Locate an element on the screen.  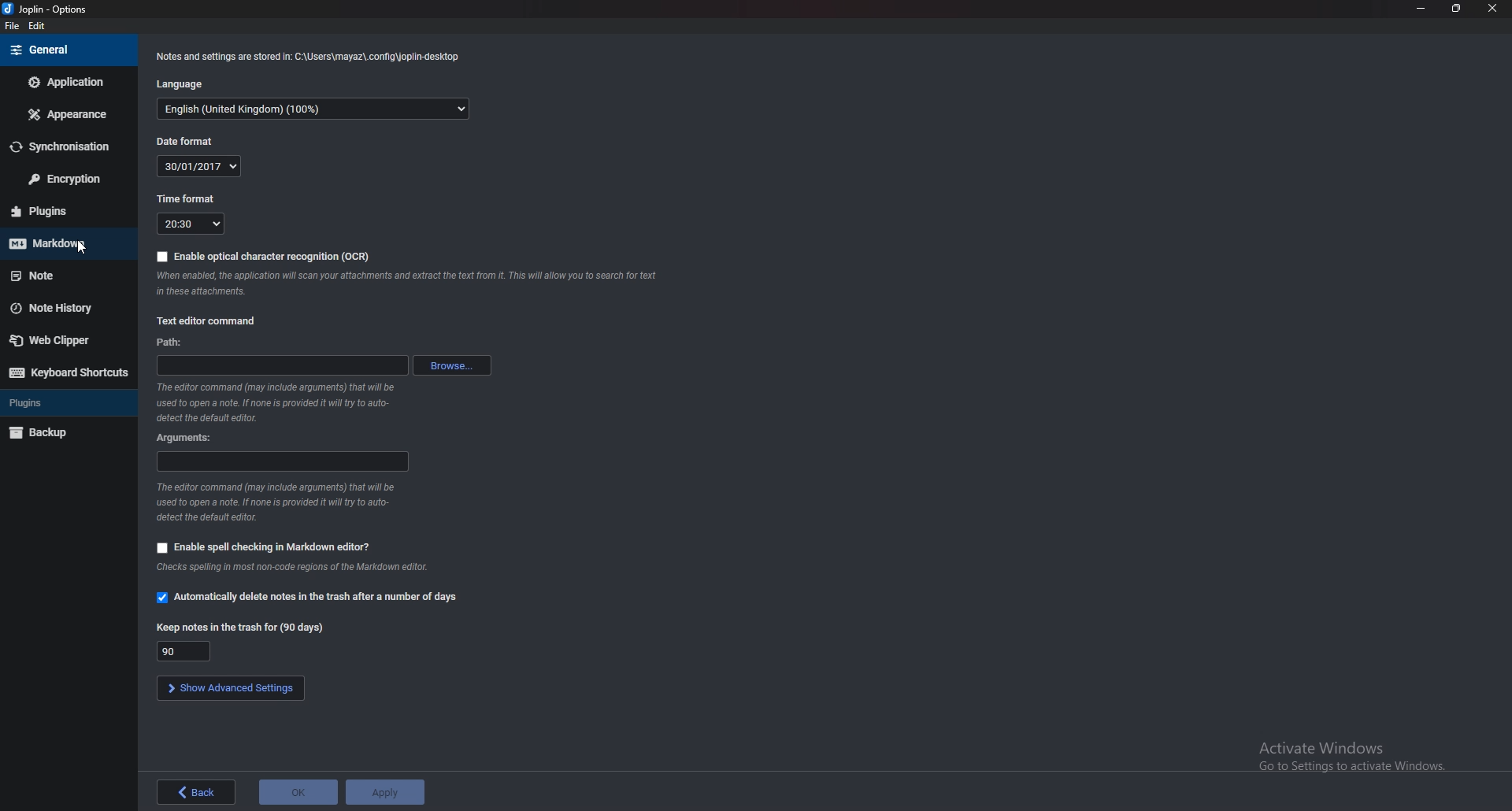
minimize is located at coordinates (1422, 8).